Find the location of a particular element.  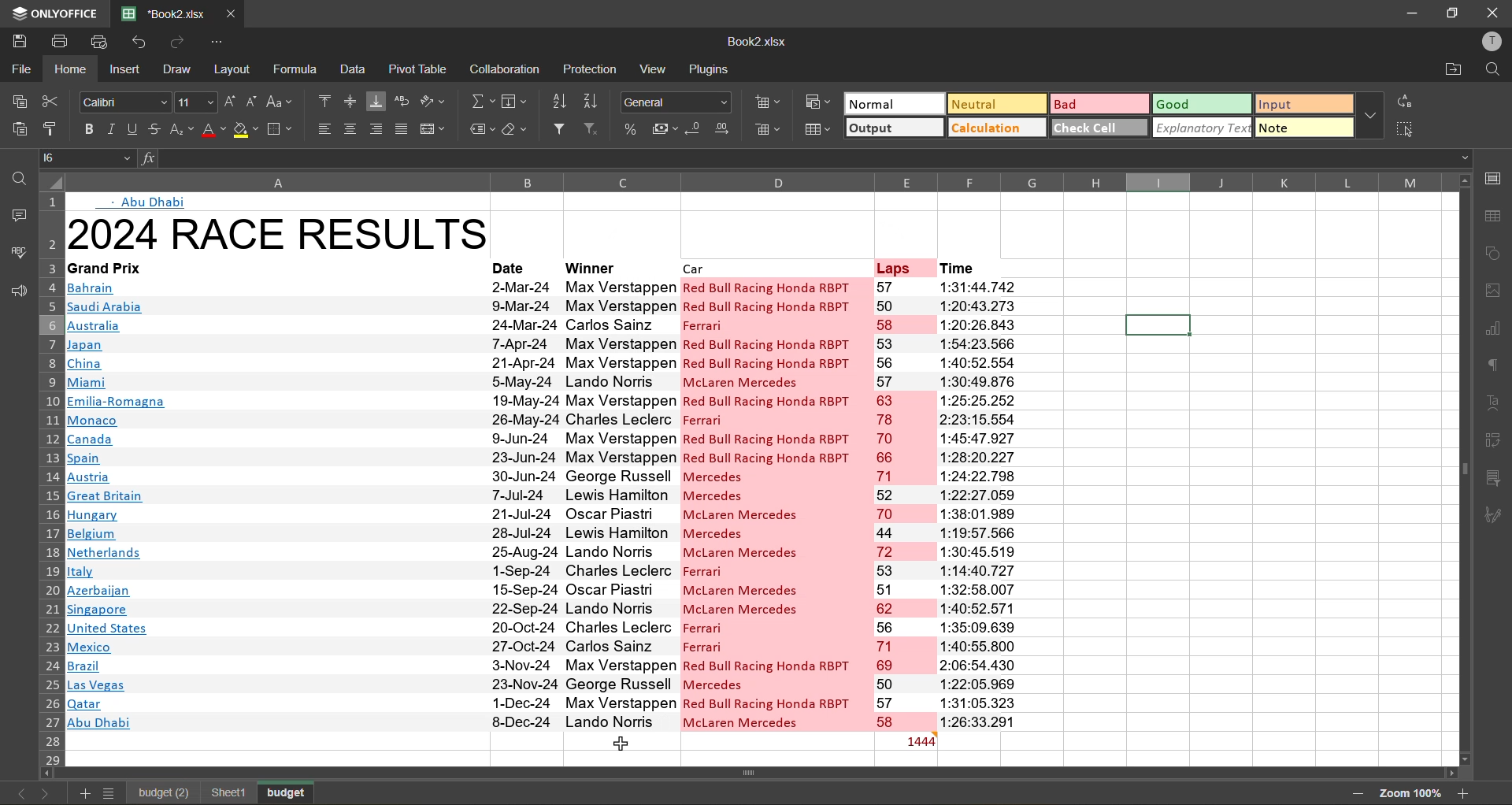

clear is located at coordinates (521, 131).